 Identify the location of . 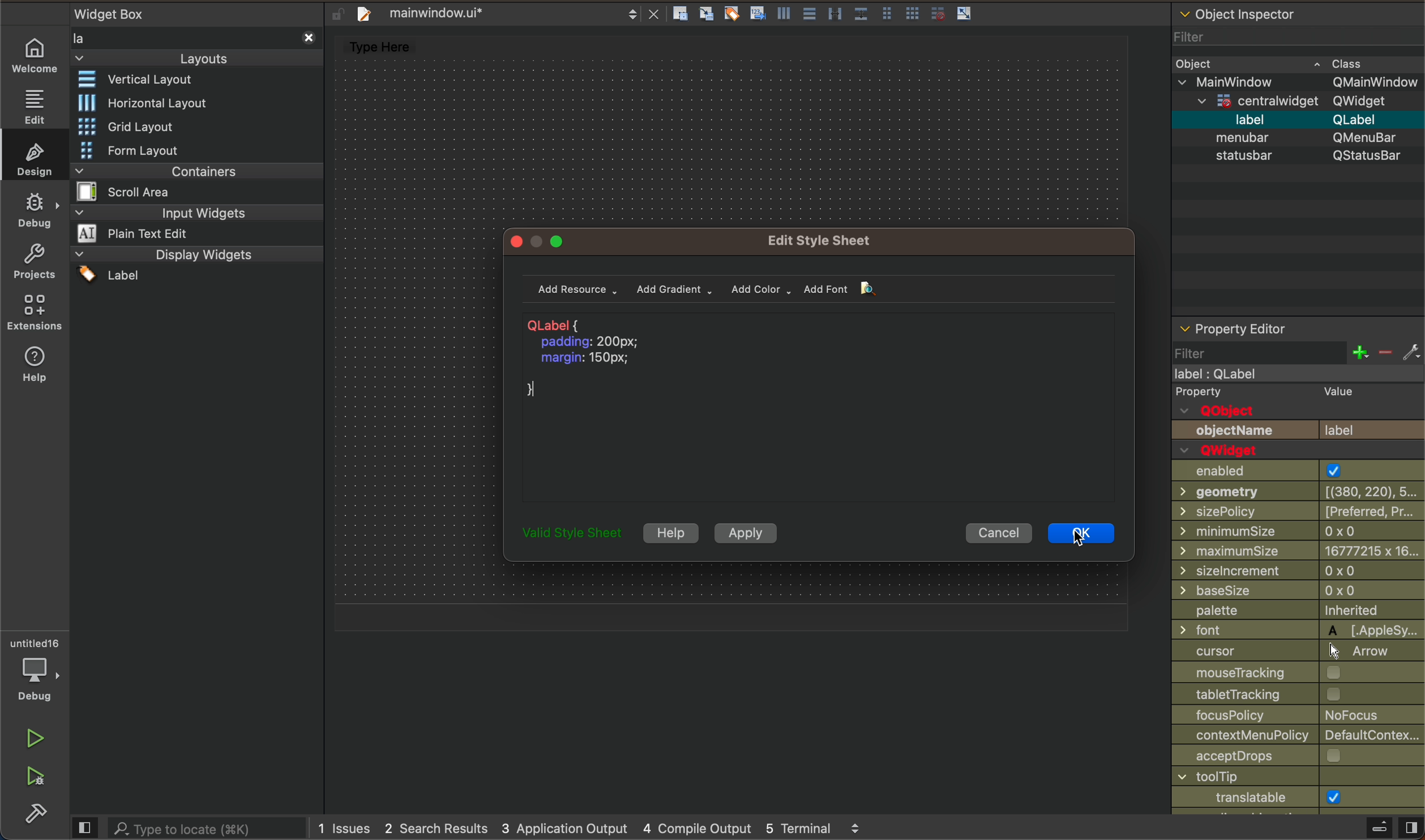
(1298, 674).